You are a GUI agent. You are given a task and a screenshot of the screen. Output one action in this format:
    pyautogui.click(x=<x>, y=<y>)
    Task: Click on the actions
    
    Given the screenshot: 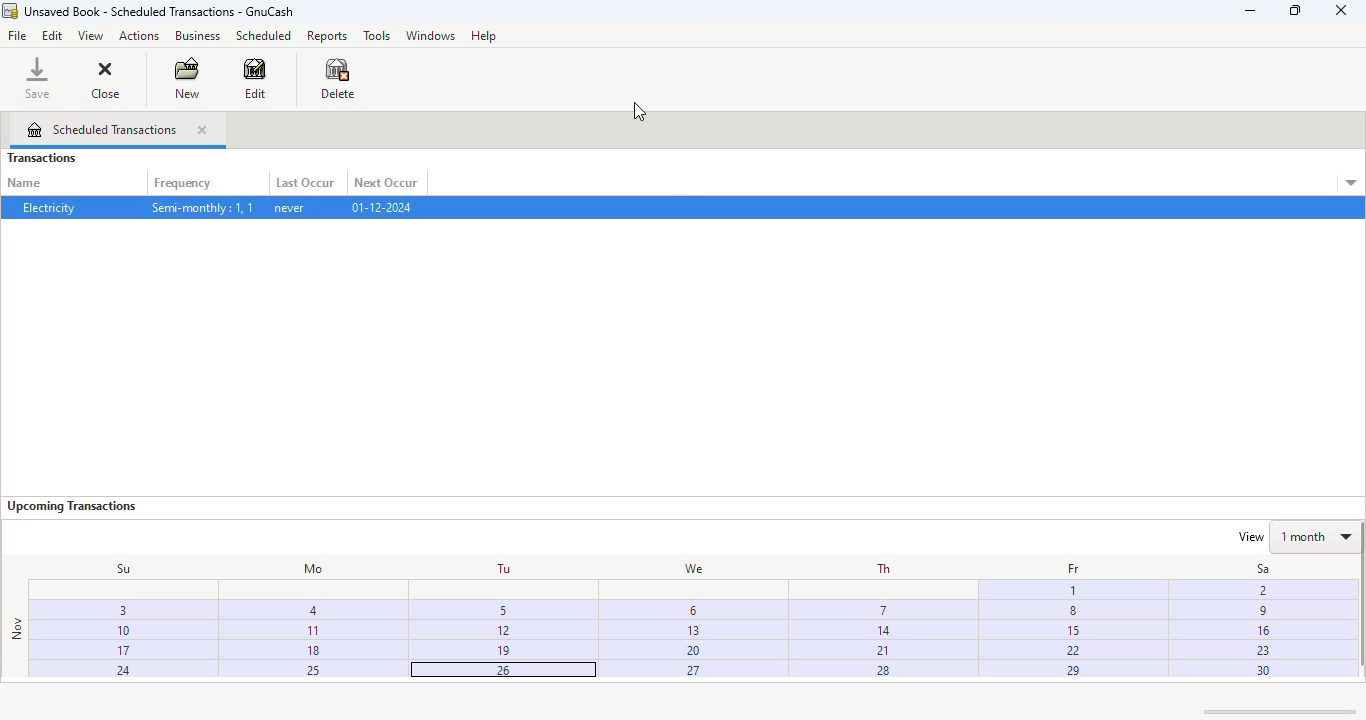 What is the action you would take?
    pyautogui.click(x=138, y=36)
    